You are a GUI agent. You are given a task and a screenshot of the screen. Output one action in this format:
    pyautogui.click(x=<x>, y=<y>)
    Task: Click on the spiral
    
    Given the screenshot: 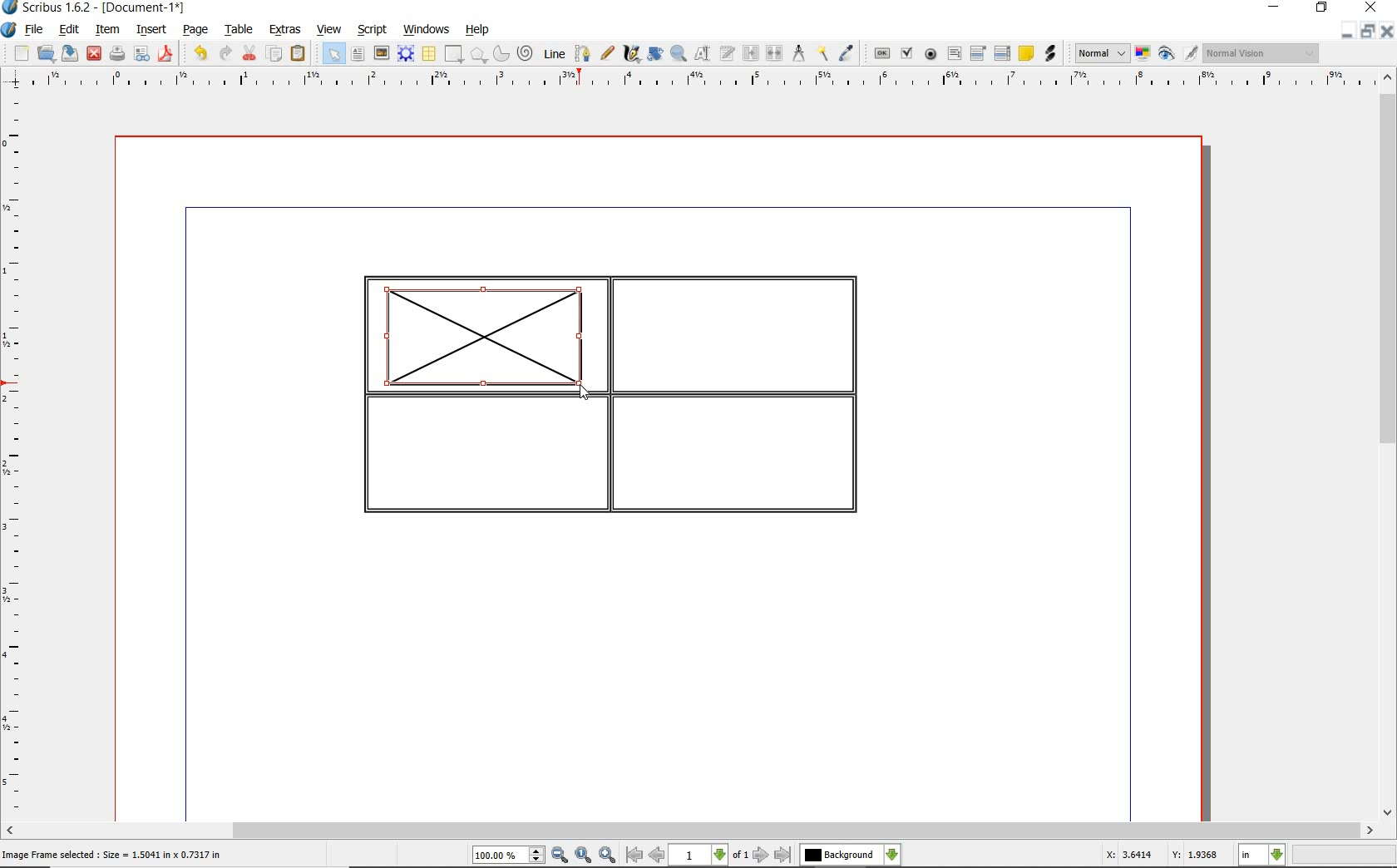 What is the action you would take?
    pyautogui.click(x=526, y=54)
    